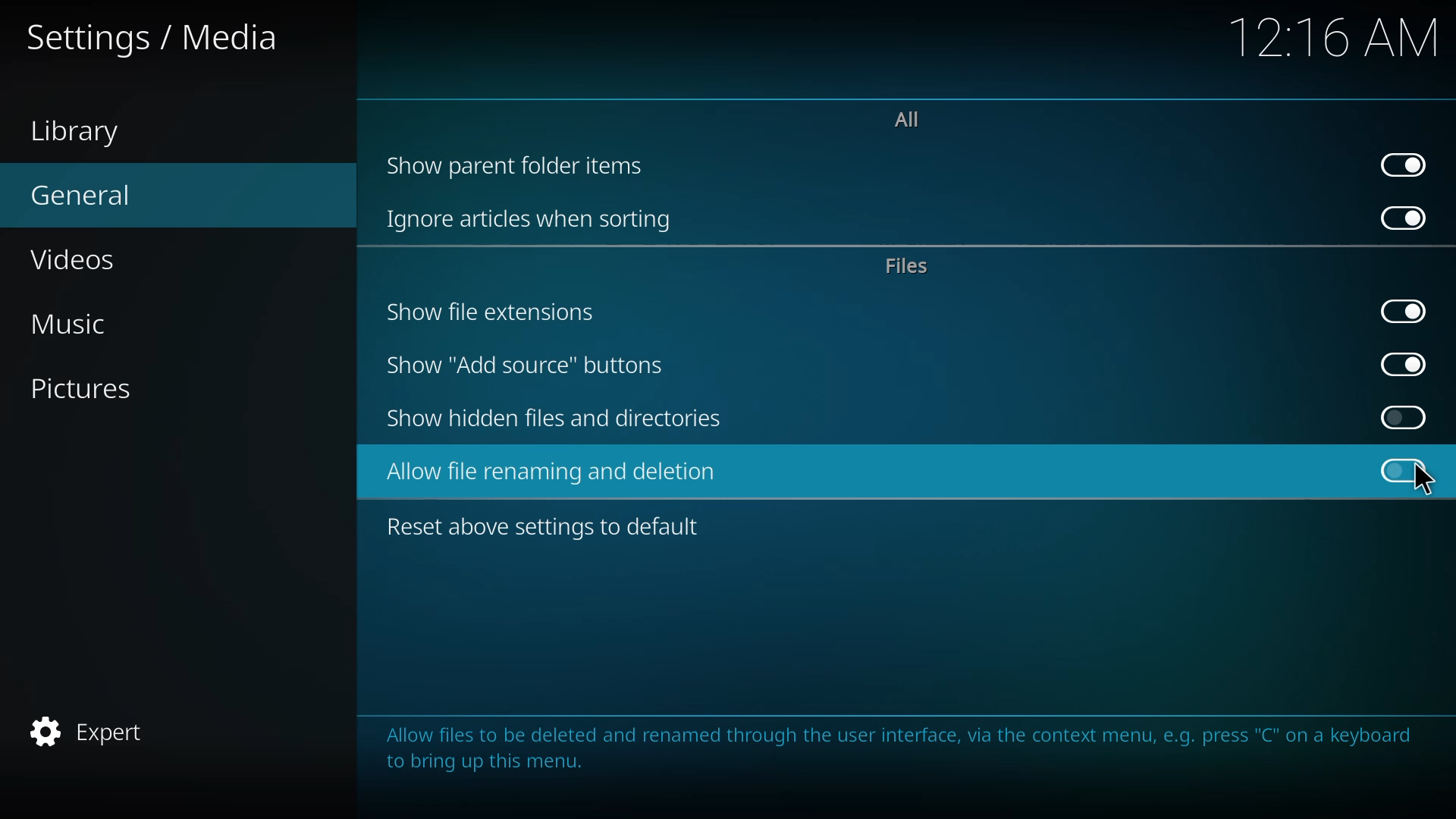 The height and width of the screenshot is (819, 1456). What do you see at coordinates (77, 322) in the screenshot?
I see `music` at bounding box center [77, 322].